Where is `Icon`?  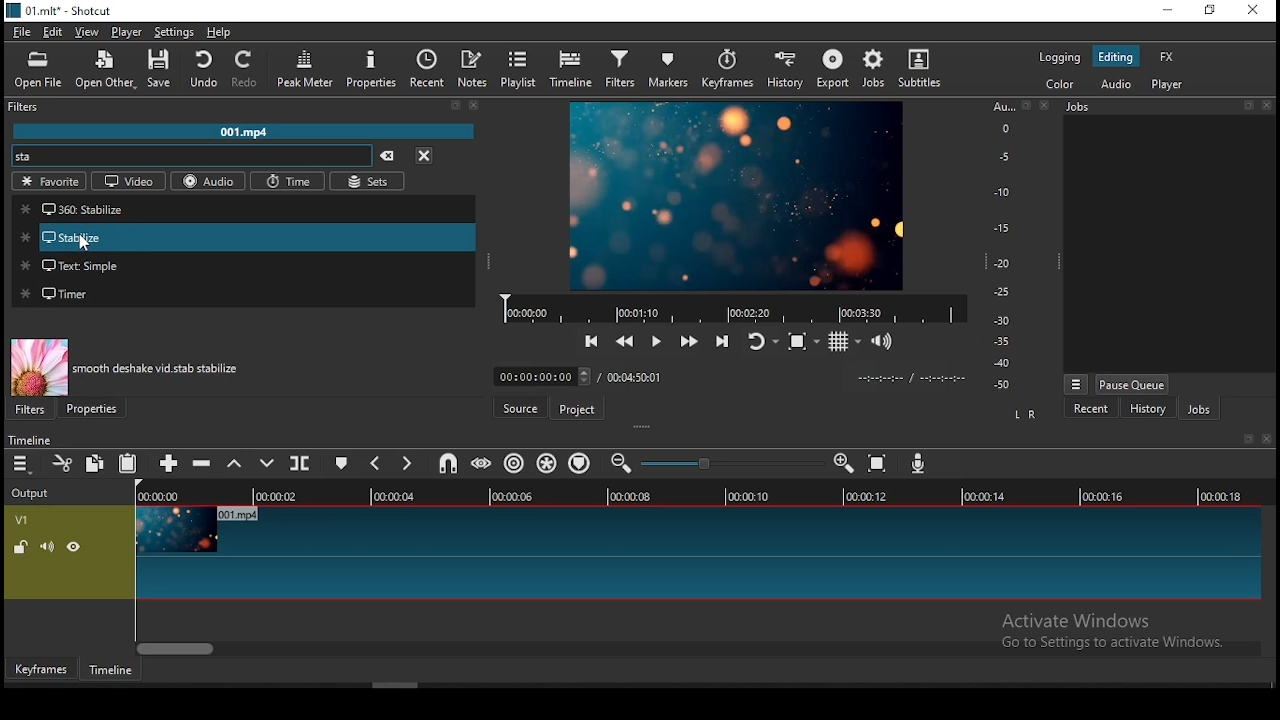 Icon is located at coordinates (38, 367).